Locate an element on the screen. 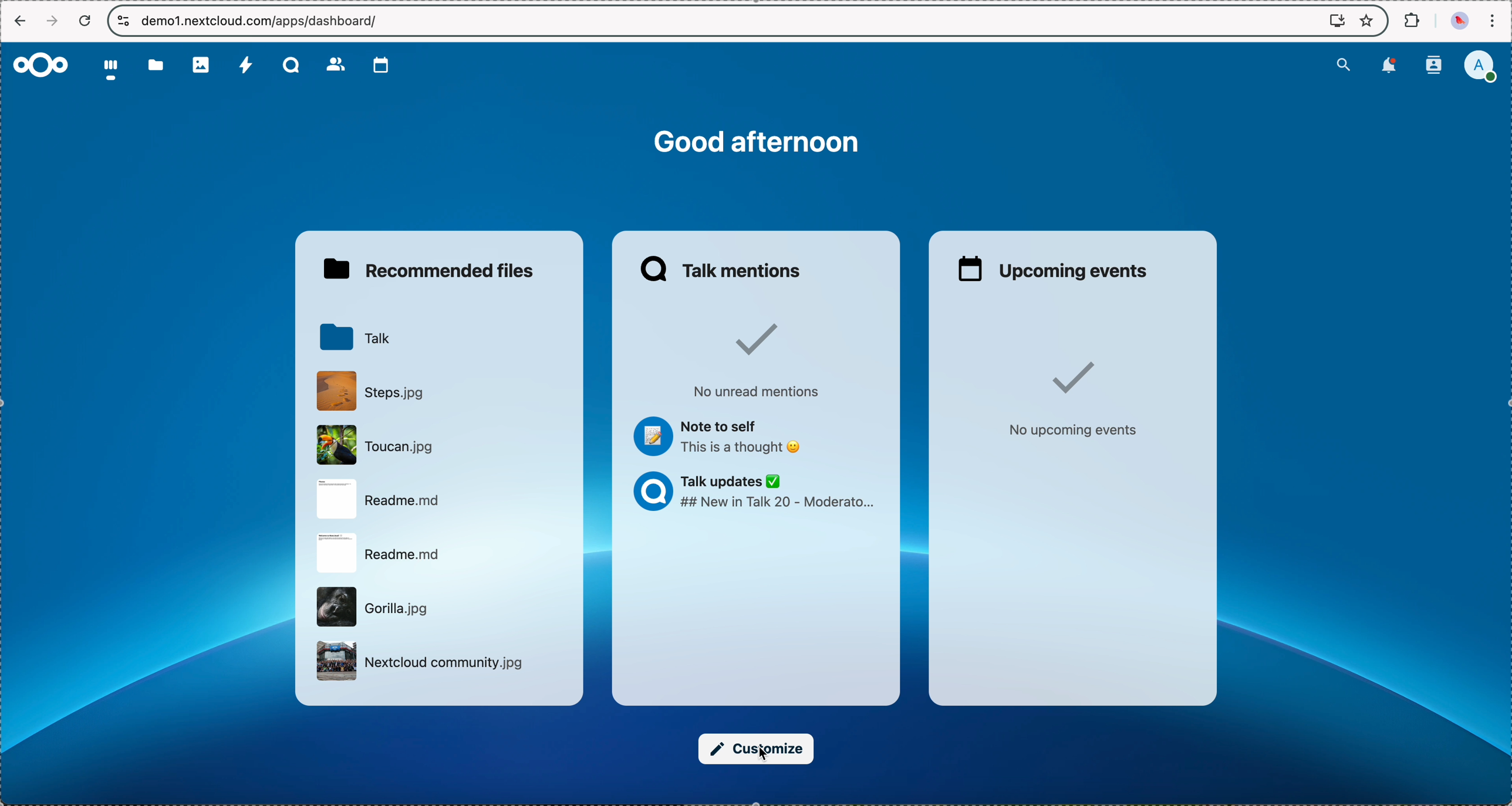 Image resolution: width=1512 pixels, height=806 pixels. Nextcloud is located at coordinates (42, 65).